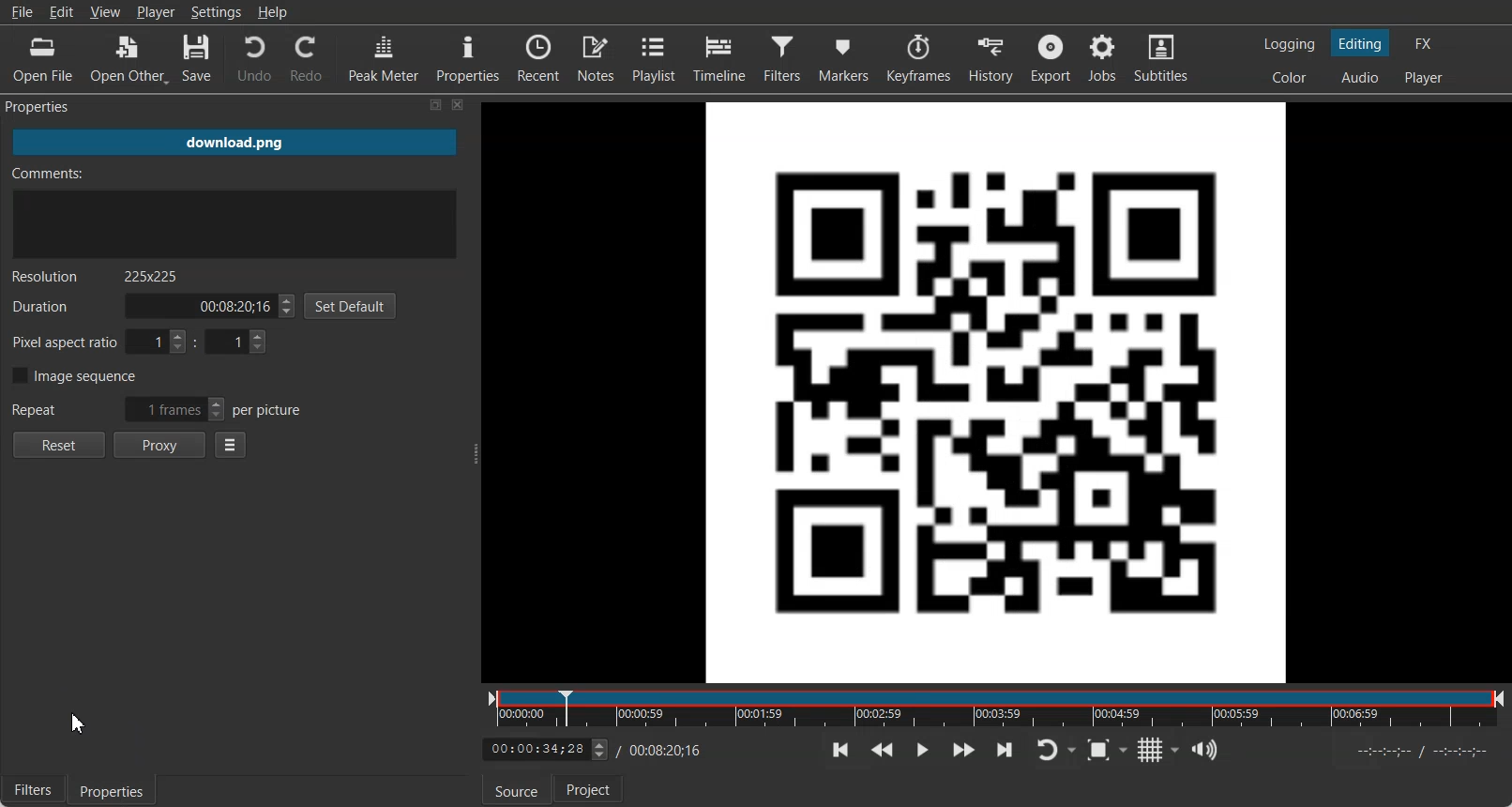 This screenshot has width=1512, height=807. Describe the element at coordinates (517, 789) in the screenshot. I see `Source` at that location.